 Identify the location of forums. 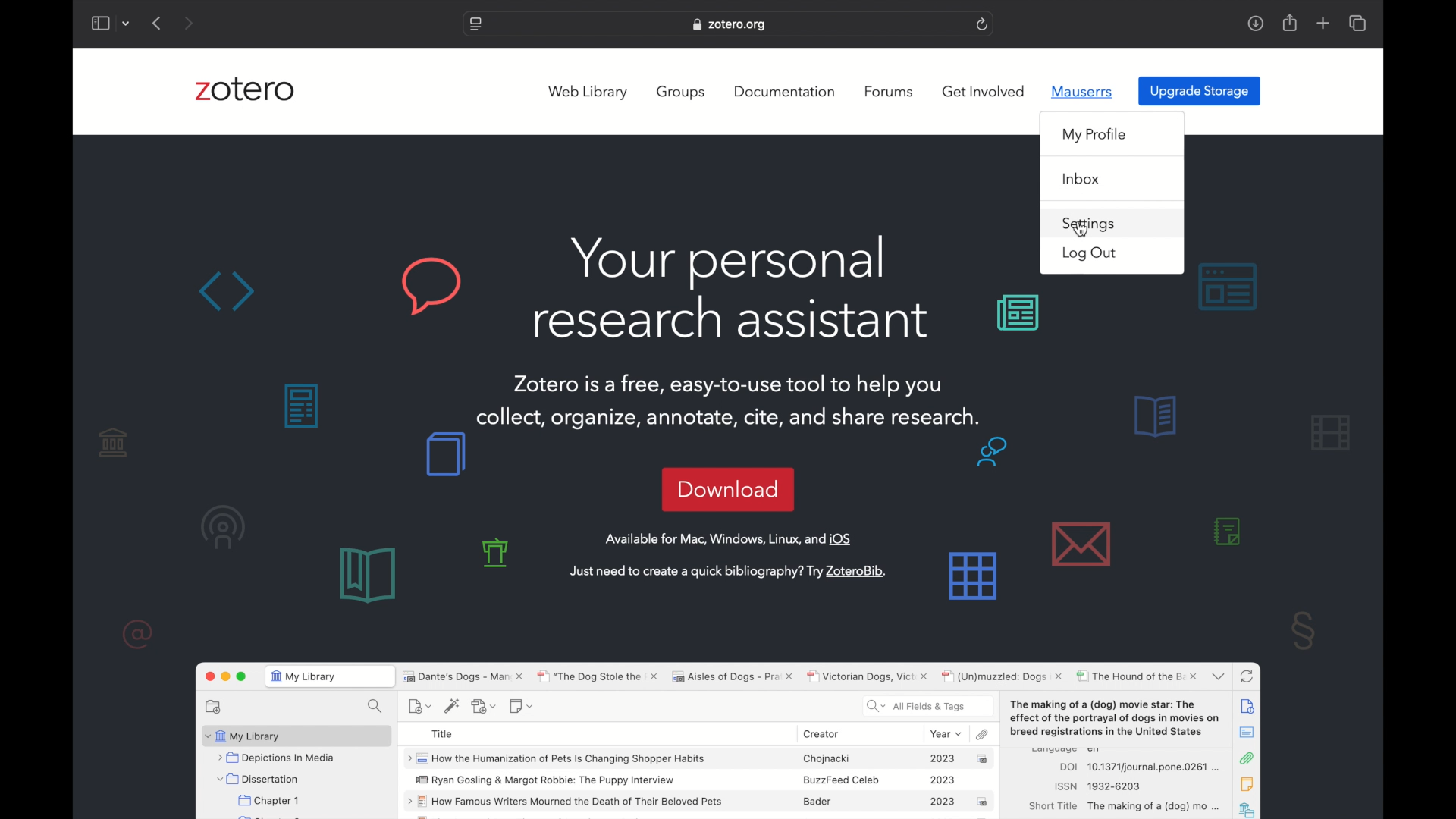
(891, 92).